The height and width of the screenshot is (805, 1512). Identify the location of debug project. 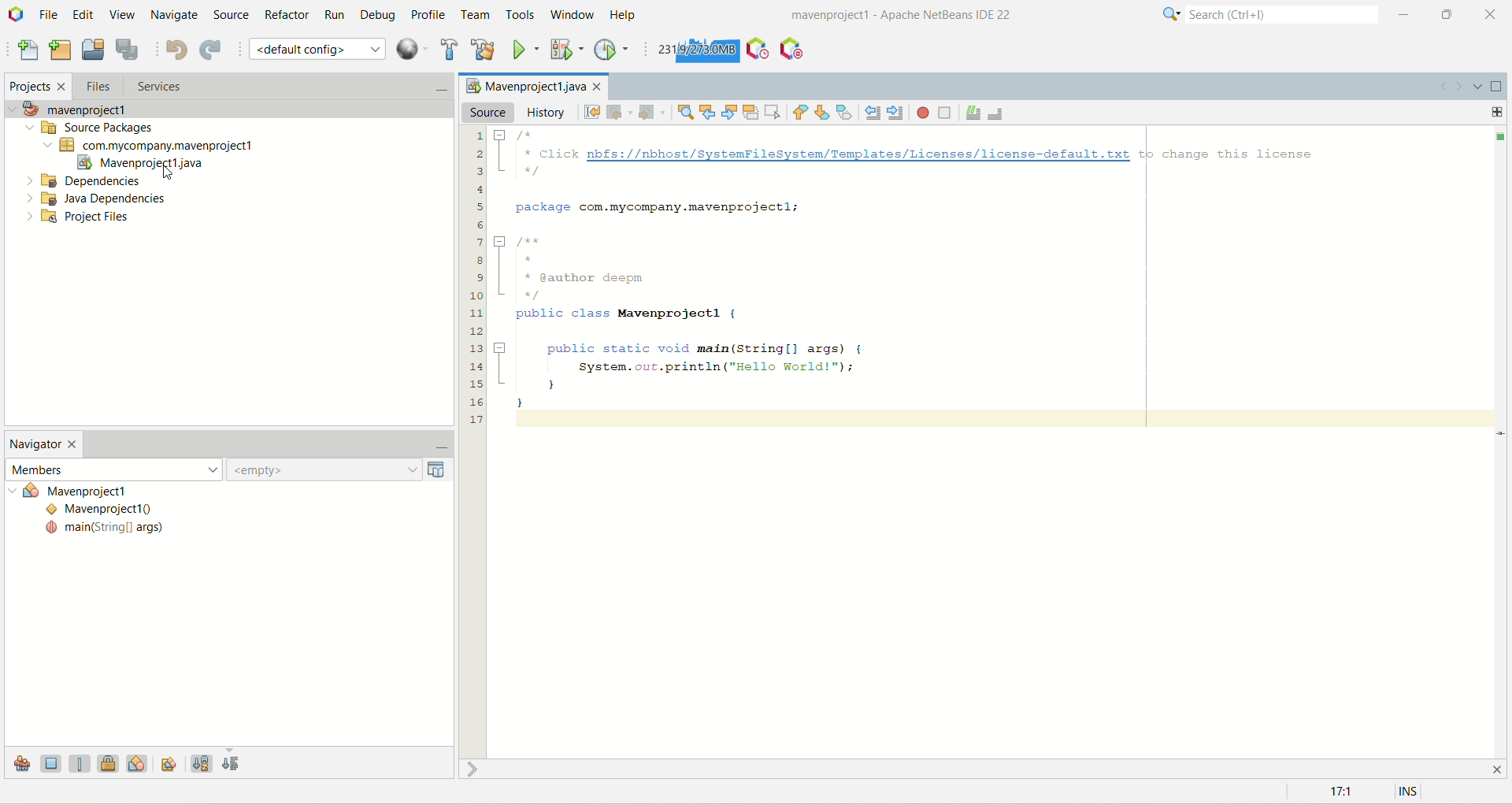
(564, 49).